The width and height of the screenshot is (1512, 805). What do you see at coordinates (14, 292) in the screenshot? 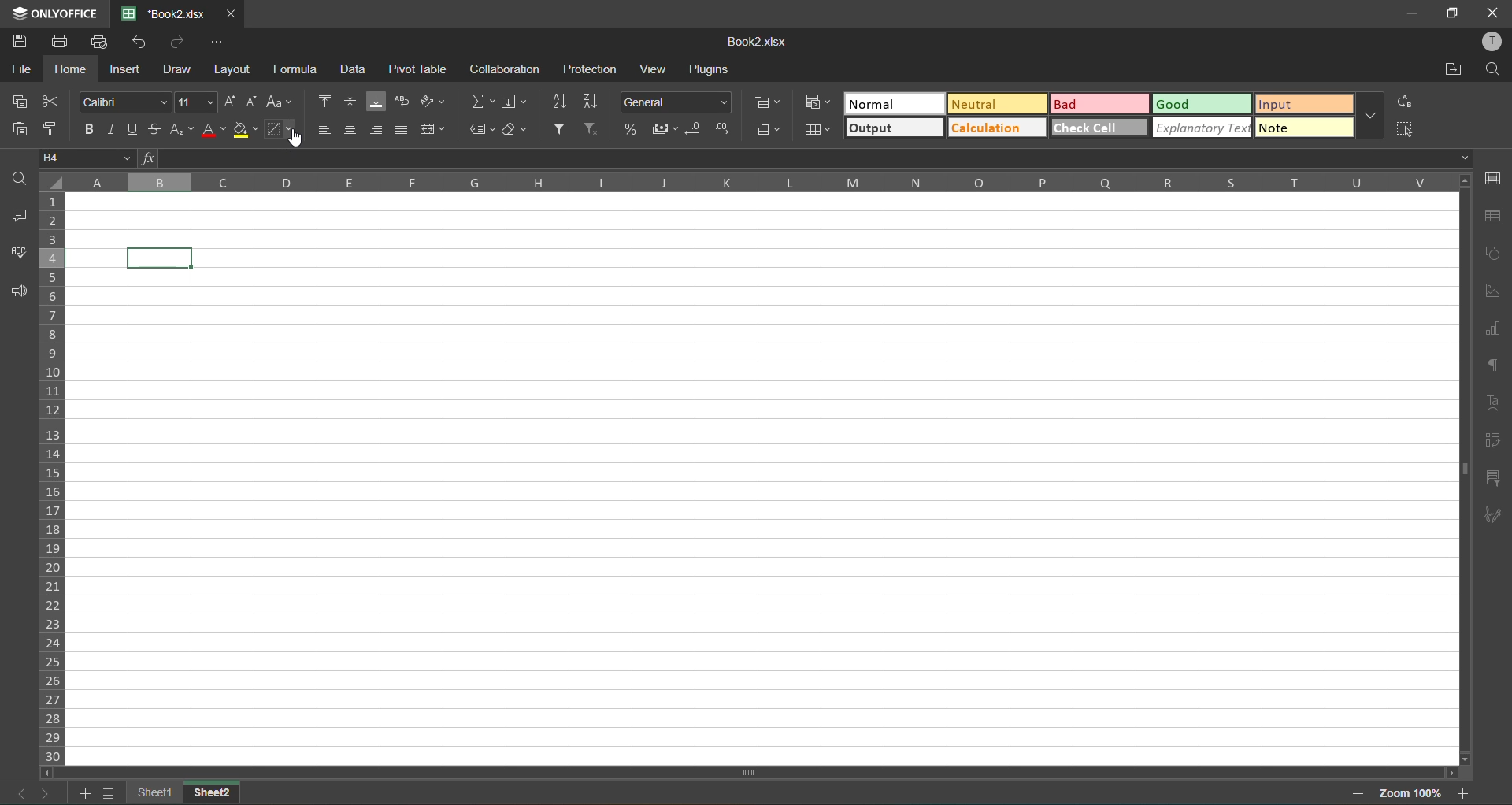
I see `feedback` at bounding box center [14, 292].